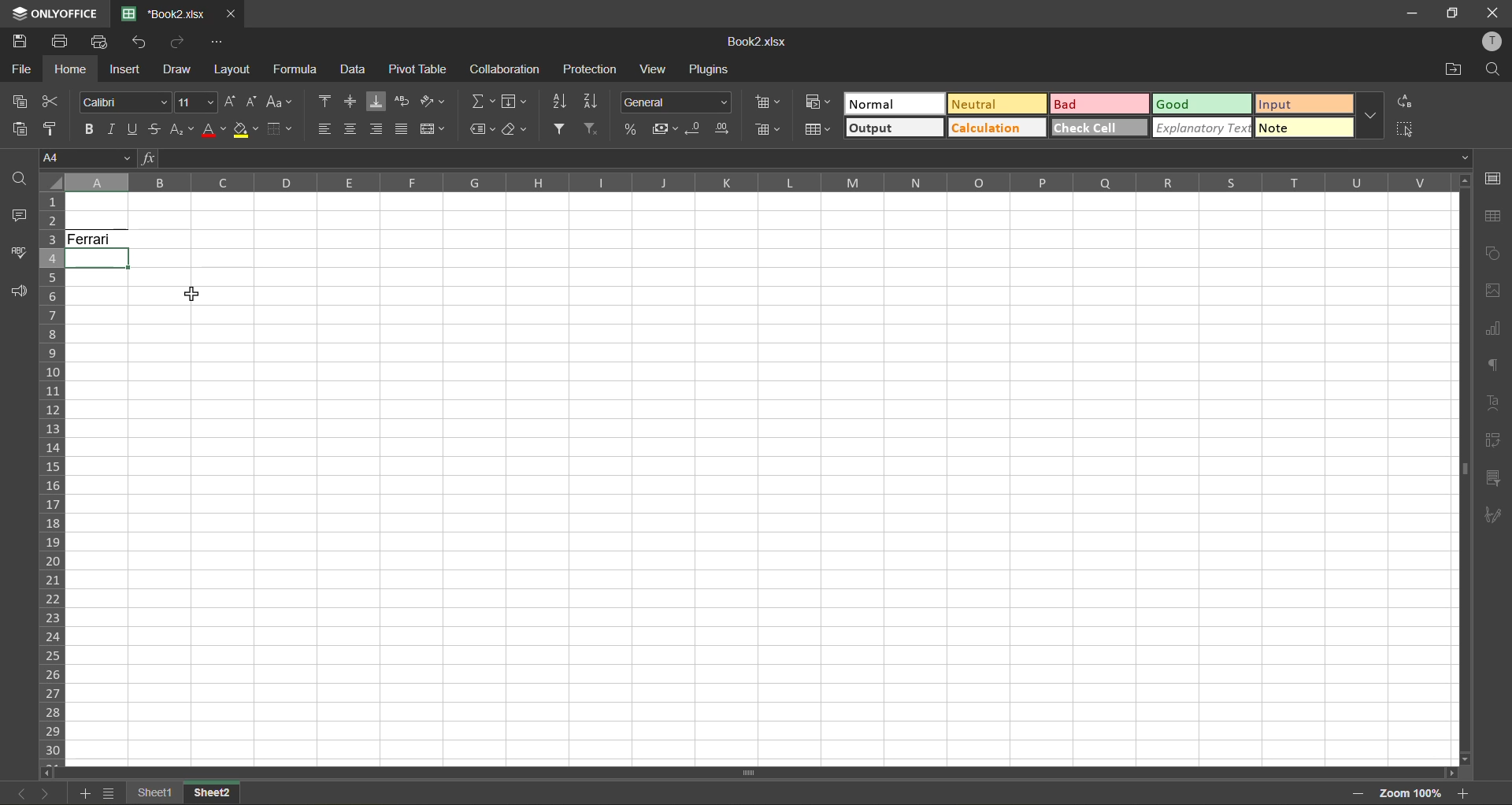 The width and height of the screenshot is (1512, 805). What do you see at coordinates (16, 41) in the screenshot?
I see `save` at bounding box center [16, 41].